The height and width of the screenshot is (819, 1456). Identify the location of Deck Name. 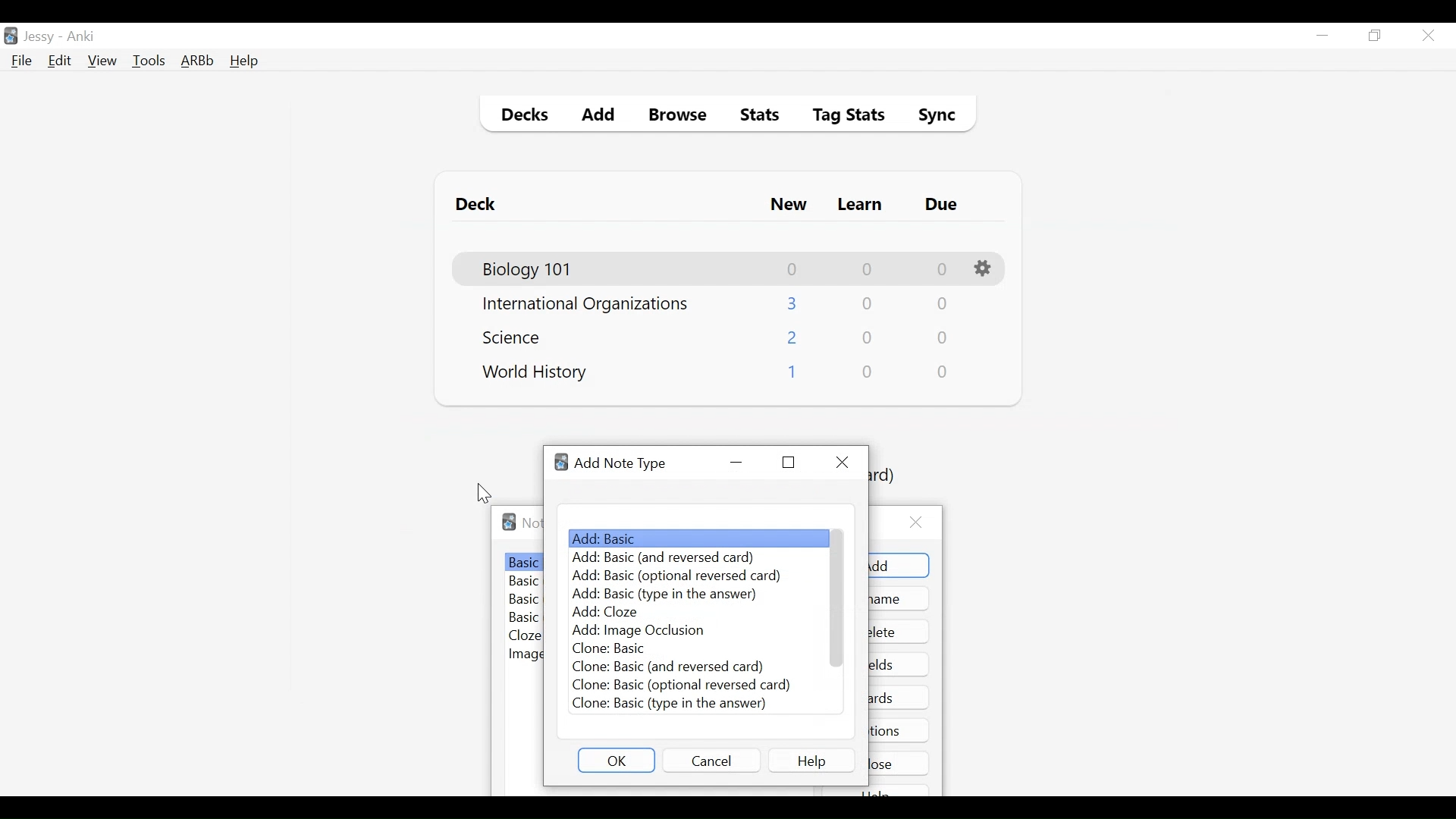
(535, 373).